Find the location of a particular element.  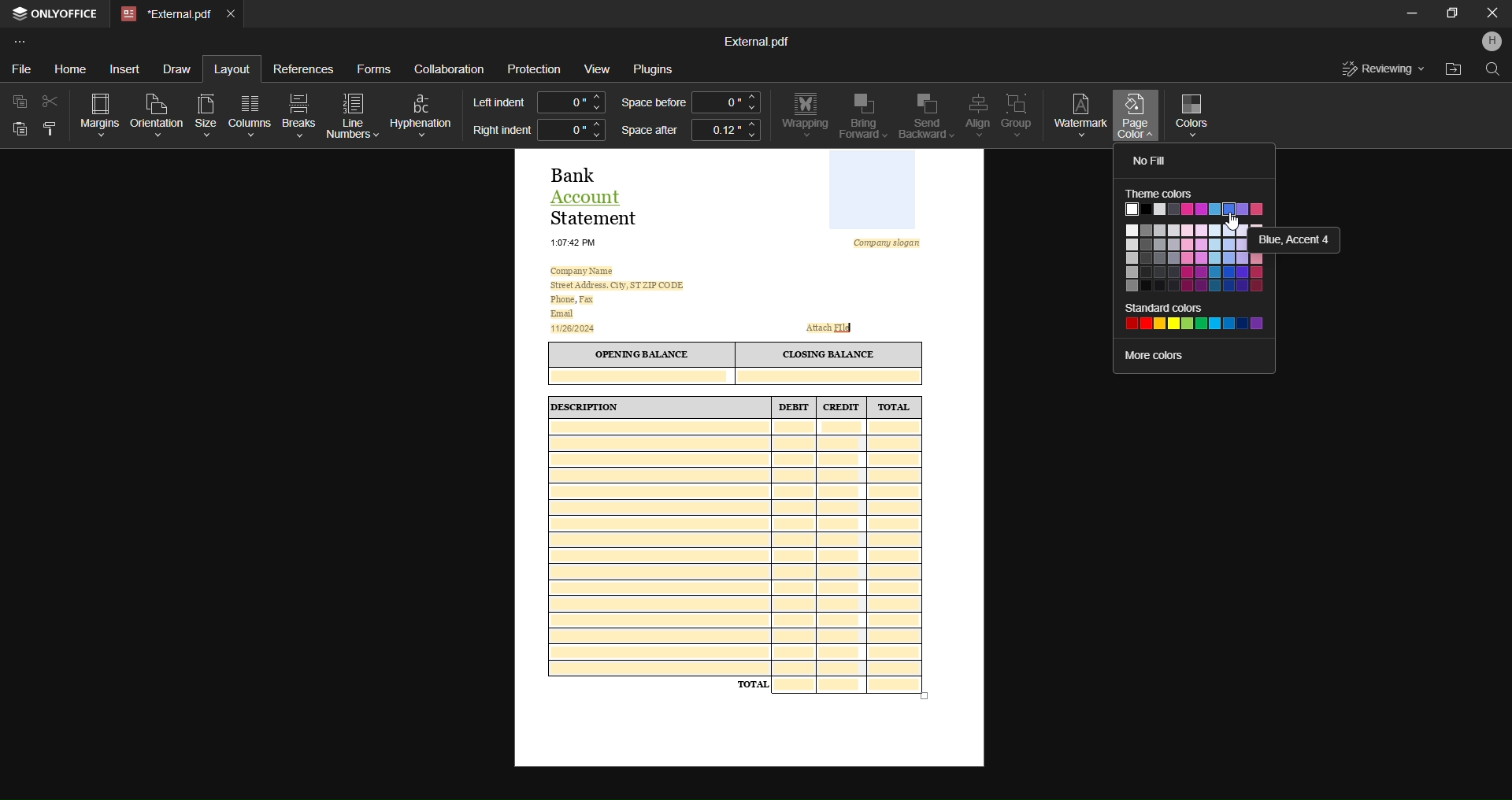

Size is located at coordinates (205, 113).